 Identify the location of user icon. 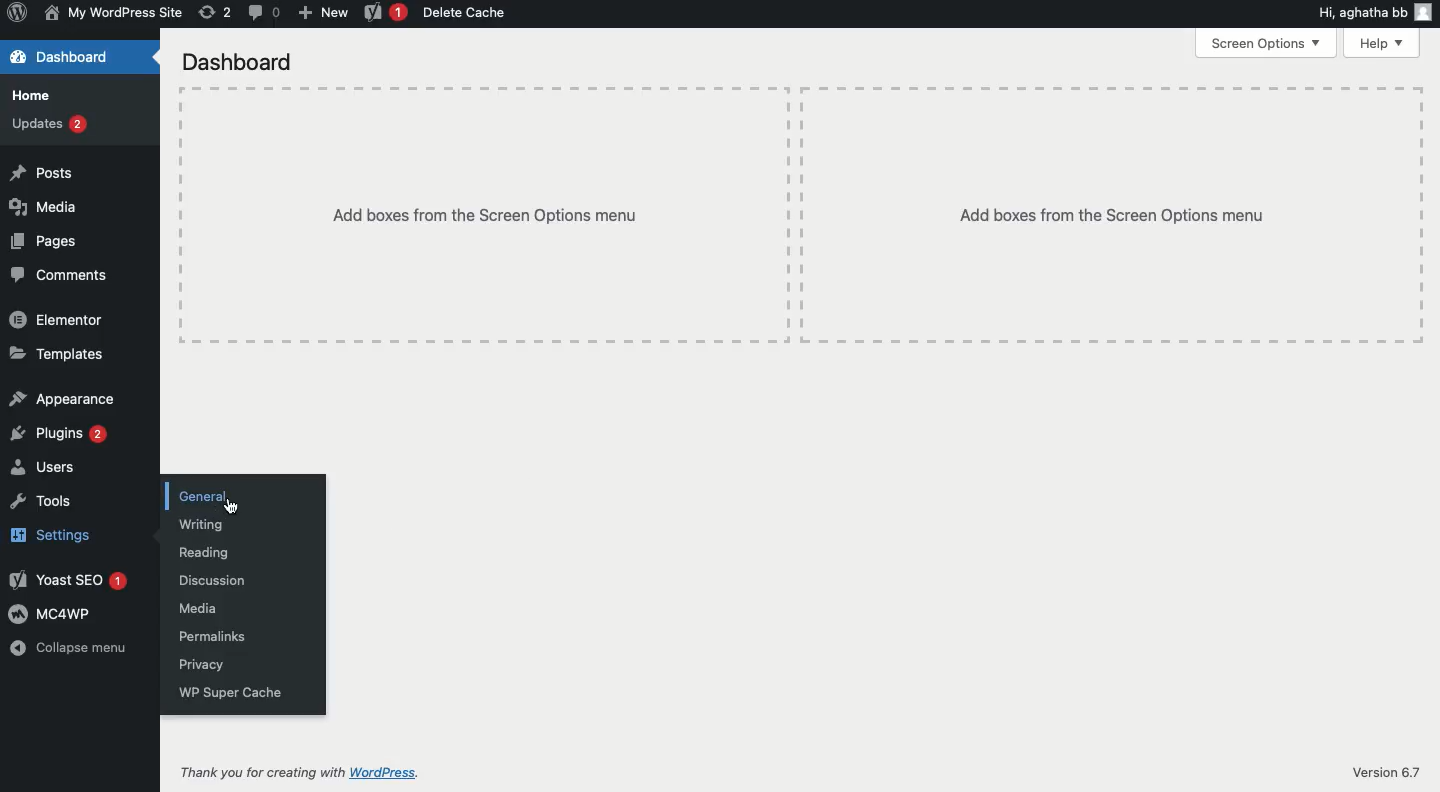
(1426, 11).